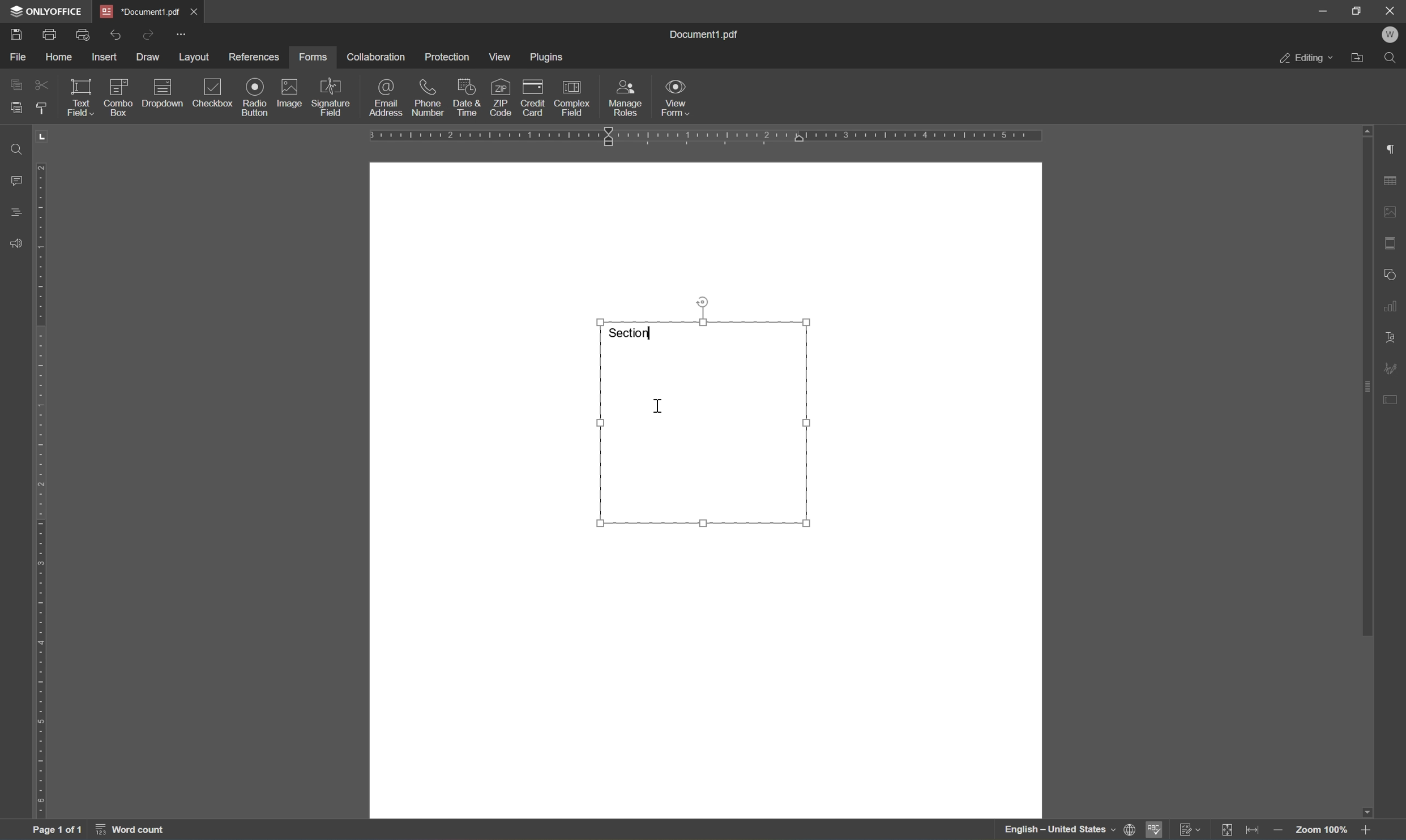 The image size is (1406, 840). I want to click on copy style, so click(41, 108).